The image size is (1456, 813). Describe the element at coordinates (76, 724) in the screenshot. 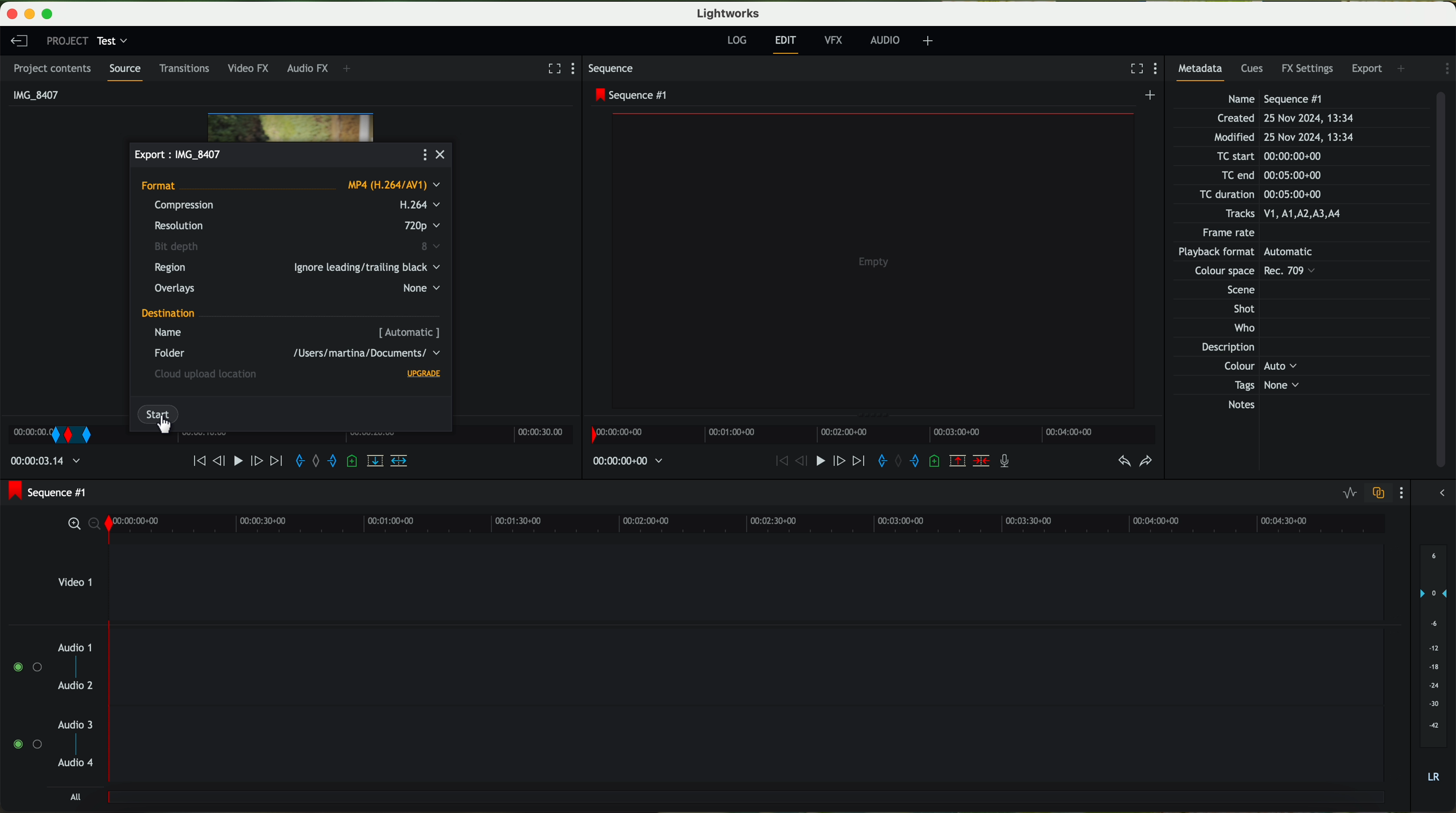

I see `audio 3` at that location.